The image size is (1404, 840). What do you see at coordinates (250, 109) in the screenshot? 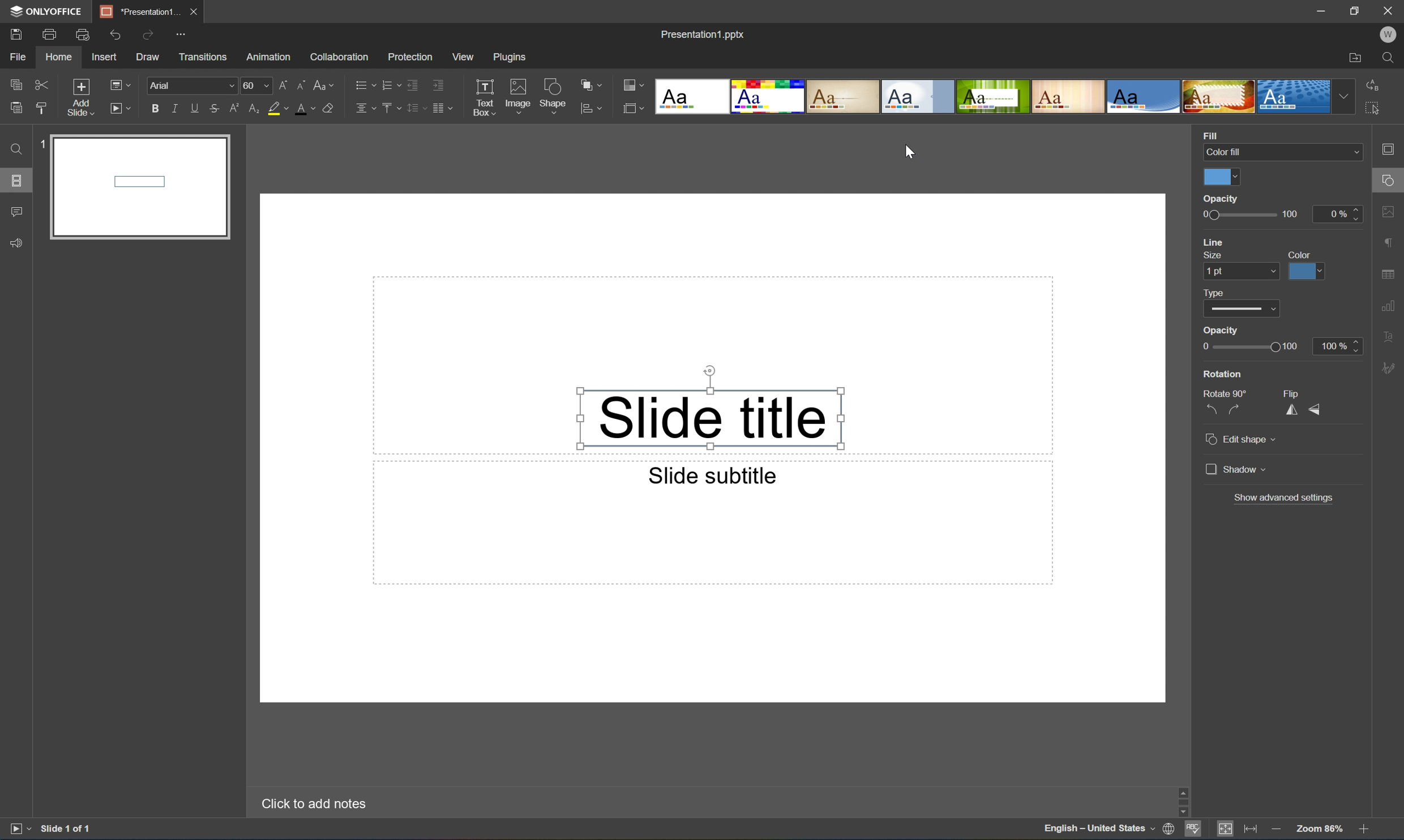
I see `Subscript` at bounding box center [250, 109].